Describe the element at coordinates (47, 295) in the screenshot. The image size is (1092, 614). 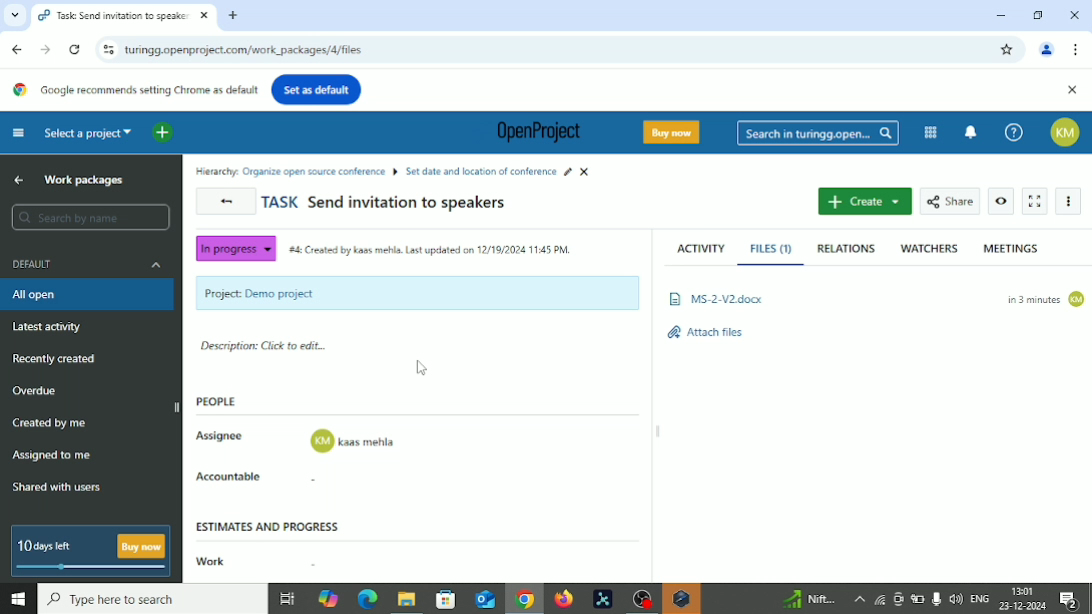
I see `All open` at that location.